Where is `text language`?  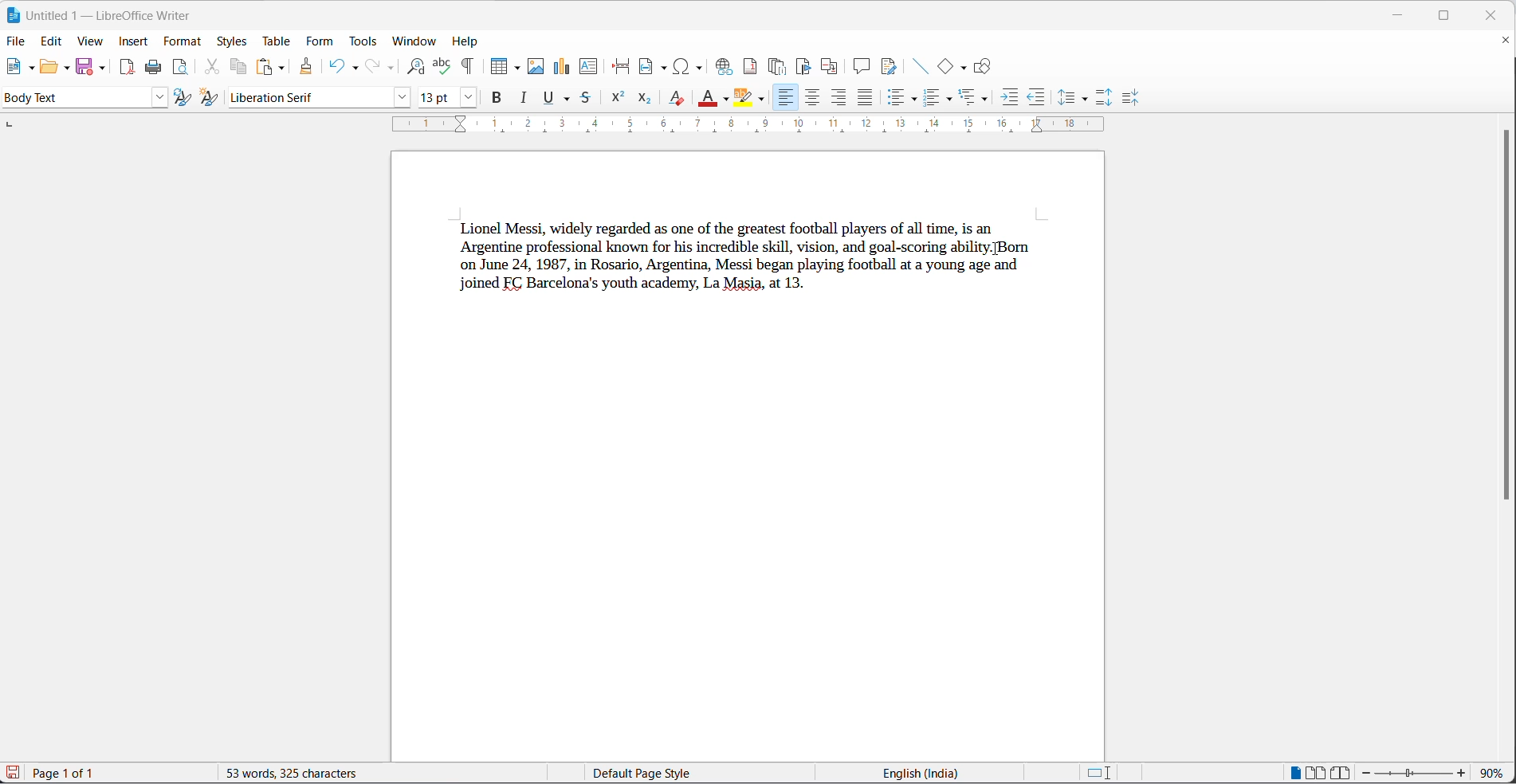 text language is located at coordinates (912, 774).